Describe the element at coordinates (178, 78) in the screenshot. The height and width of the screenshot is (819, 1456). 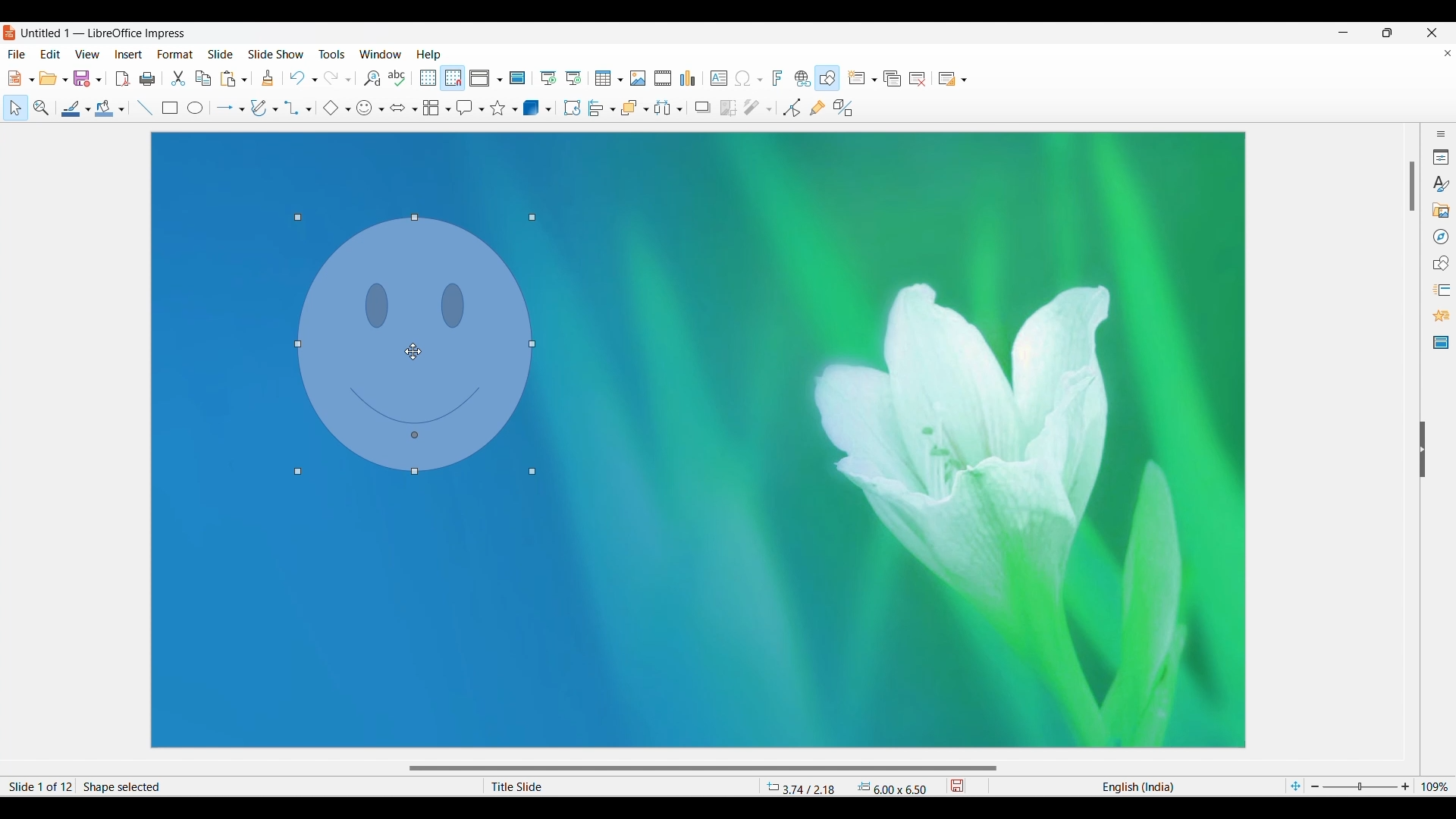
I see `Cut` at that location.